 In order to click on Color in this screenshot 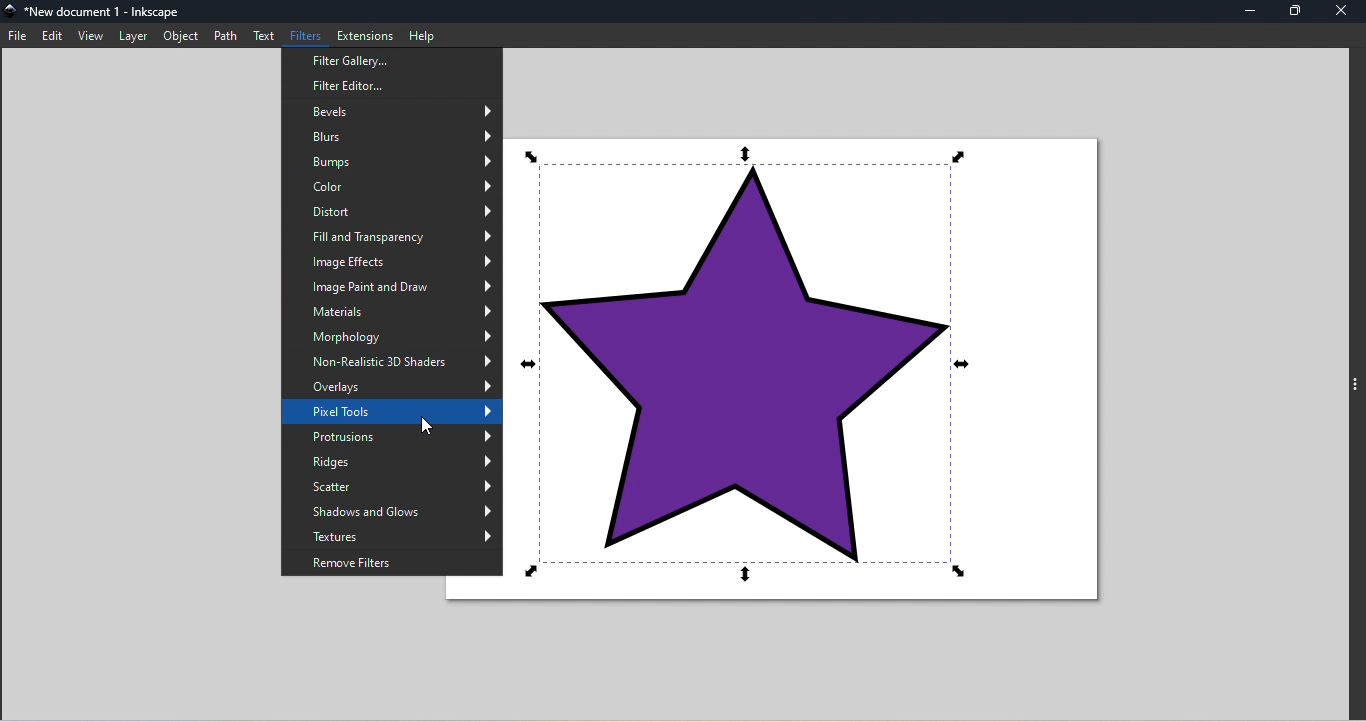, I will do `click(393, 187)`.